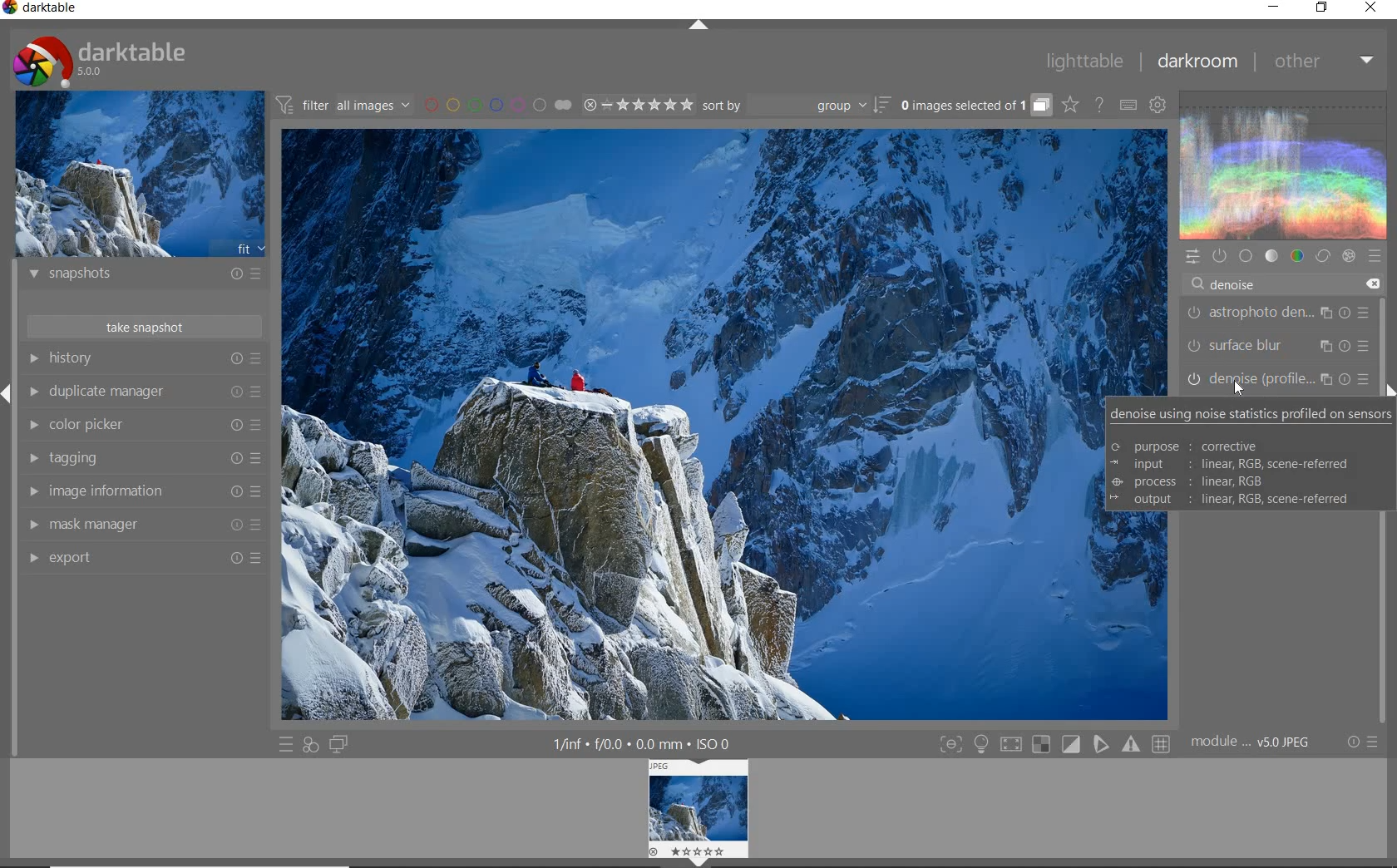  I want to click on Toggle modes, so click(1054, 742).